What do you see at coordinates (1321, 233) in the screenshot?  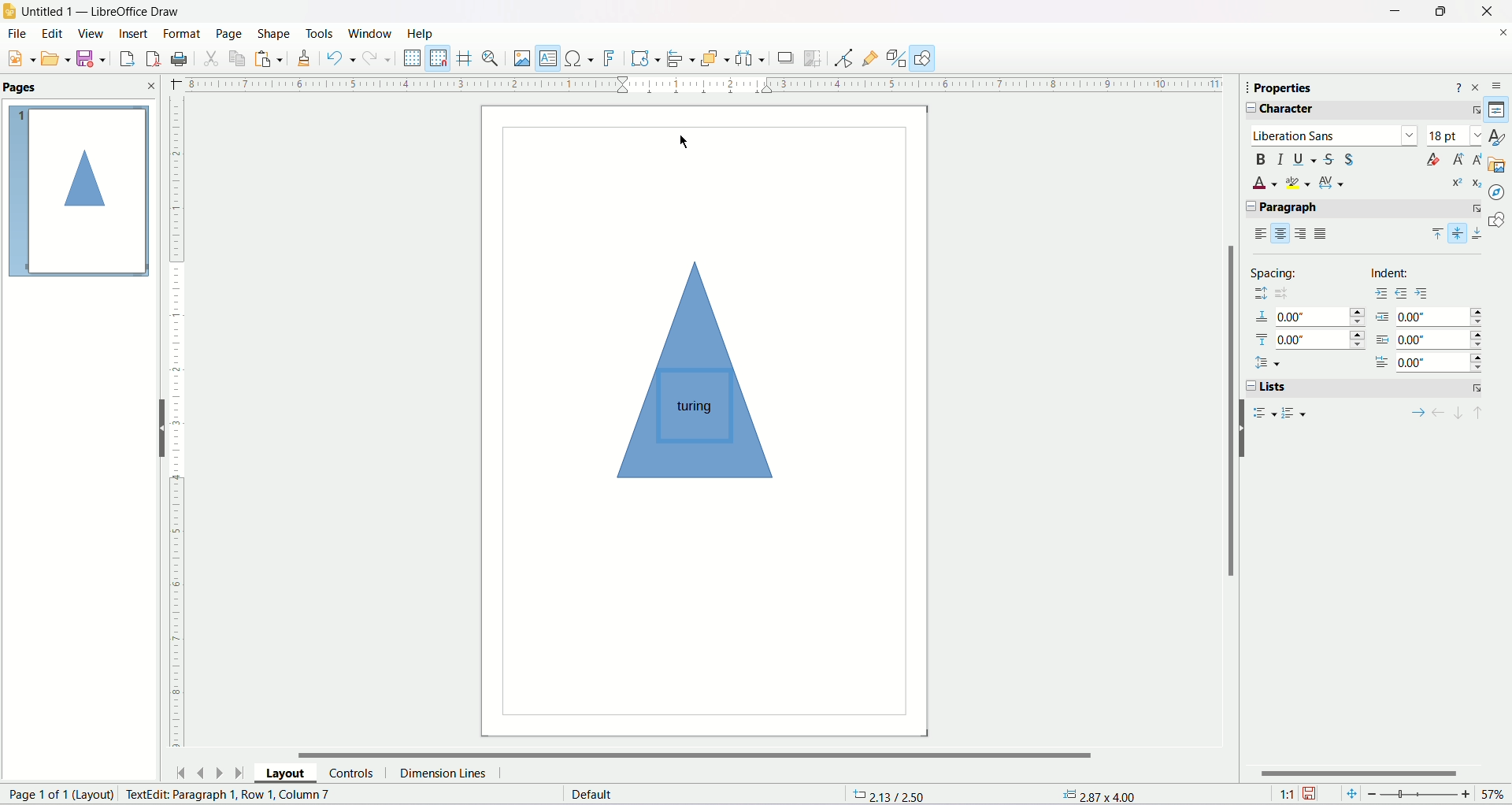 I see `justified` at bounding box center [1321, 233].